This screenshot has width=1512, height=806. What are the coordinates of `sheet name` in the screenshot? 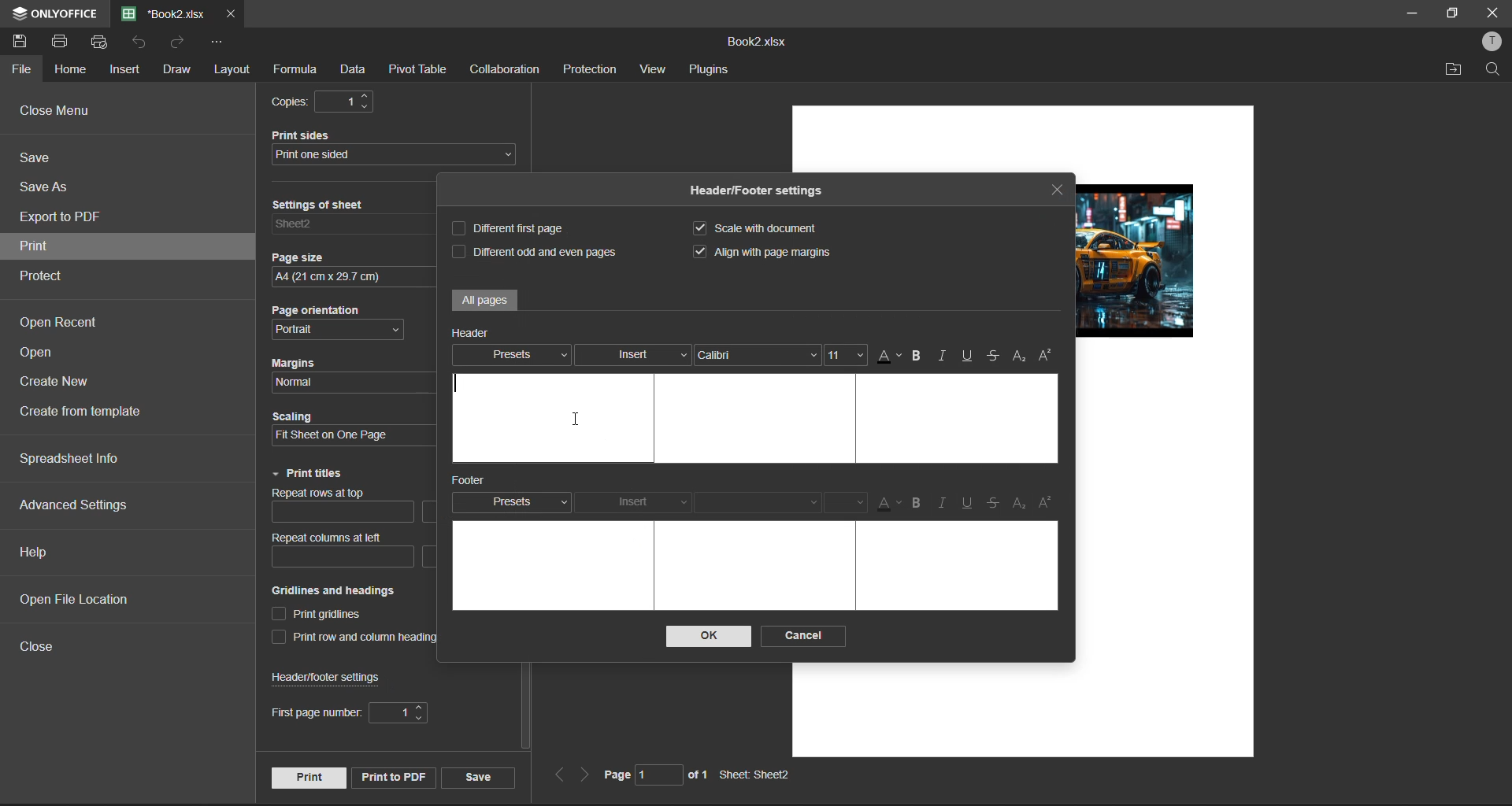 It's located at (761, 775).